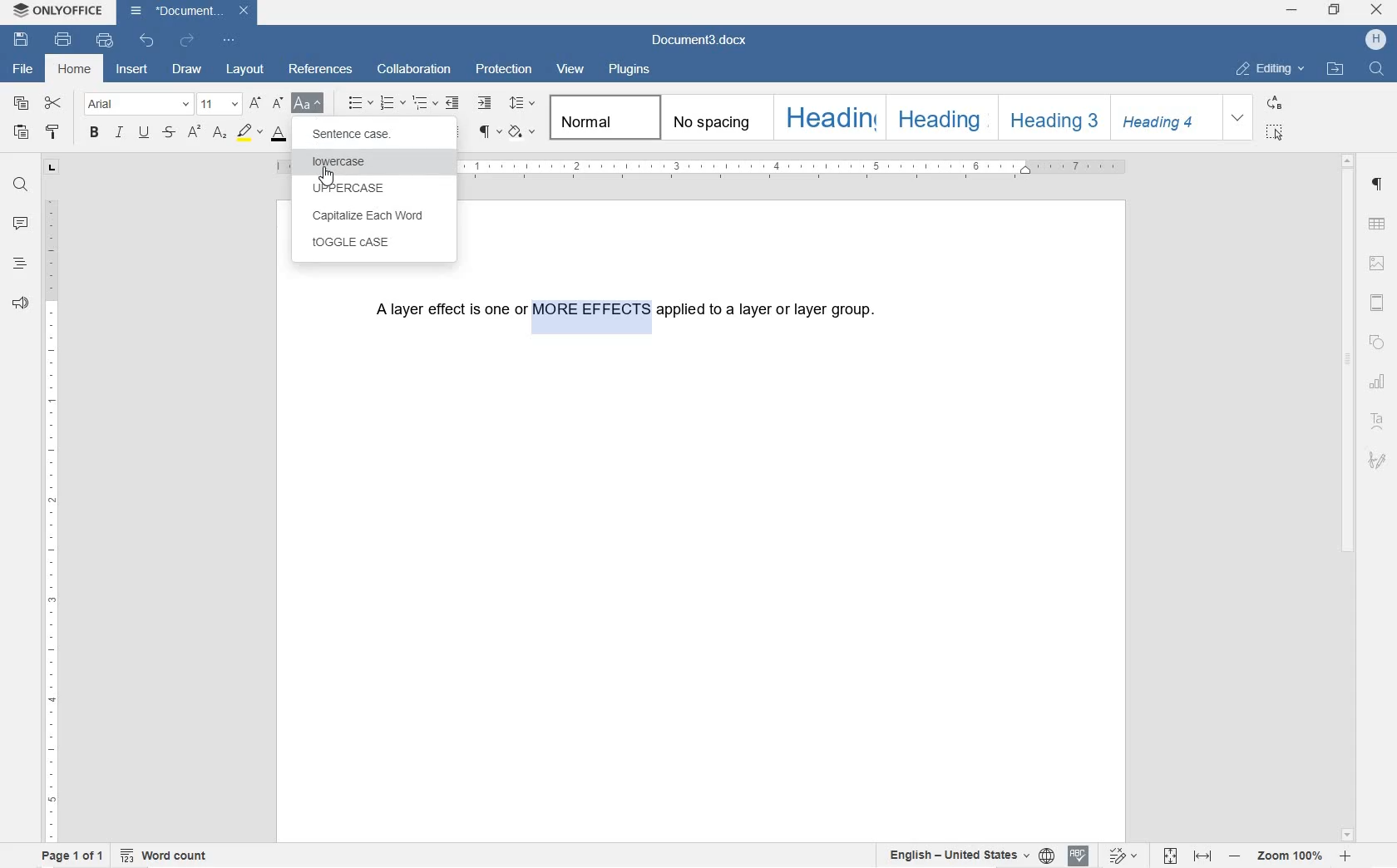 Image resolution: width=1397 pixels, height=868 pixels. I want to click on FIND, so click(21, 184).